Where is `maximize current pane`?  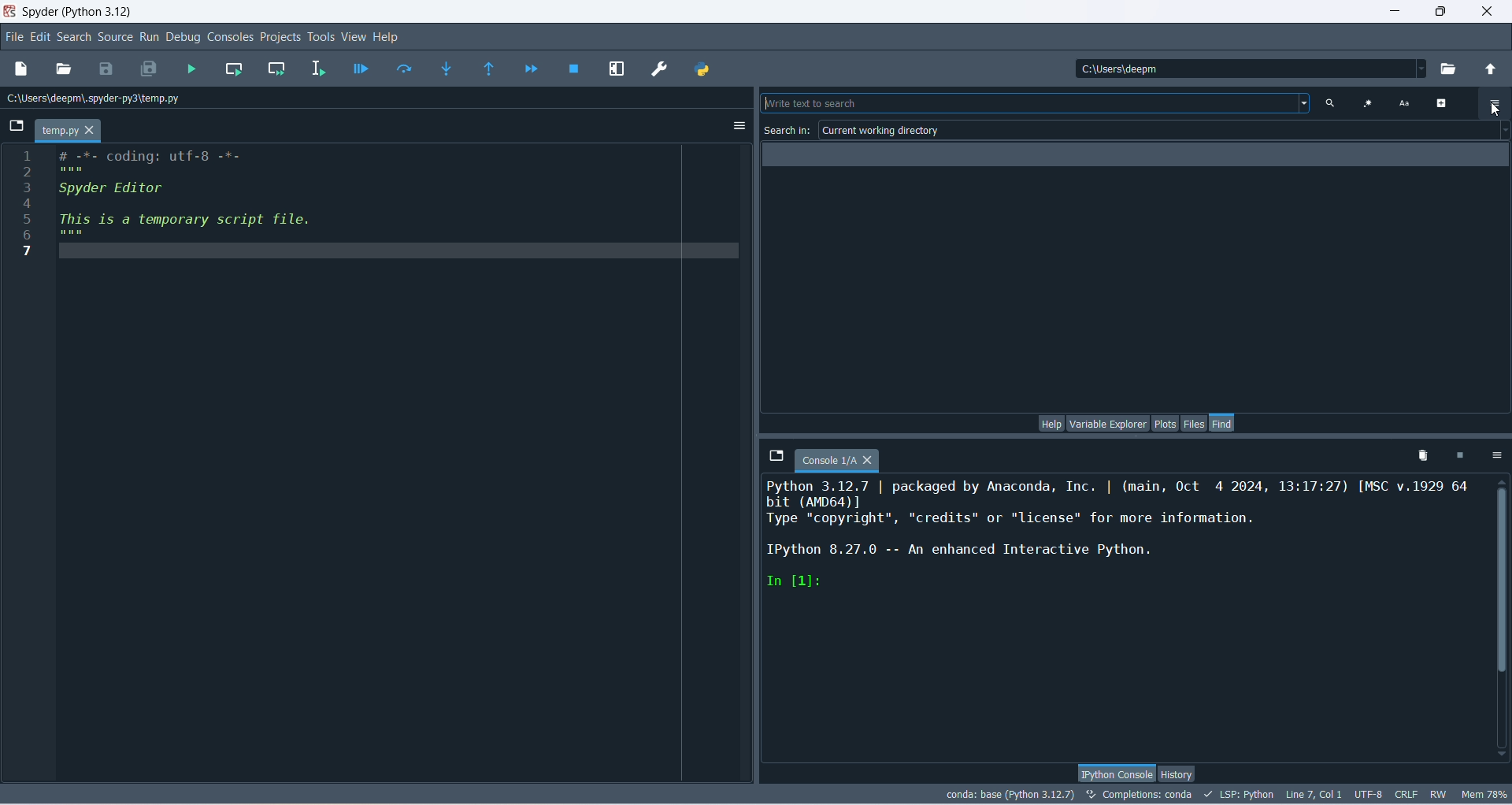
maximize current pane is located at coordinates (618, 69).